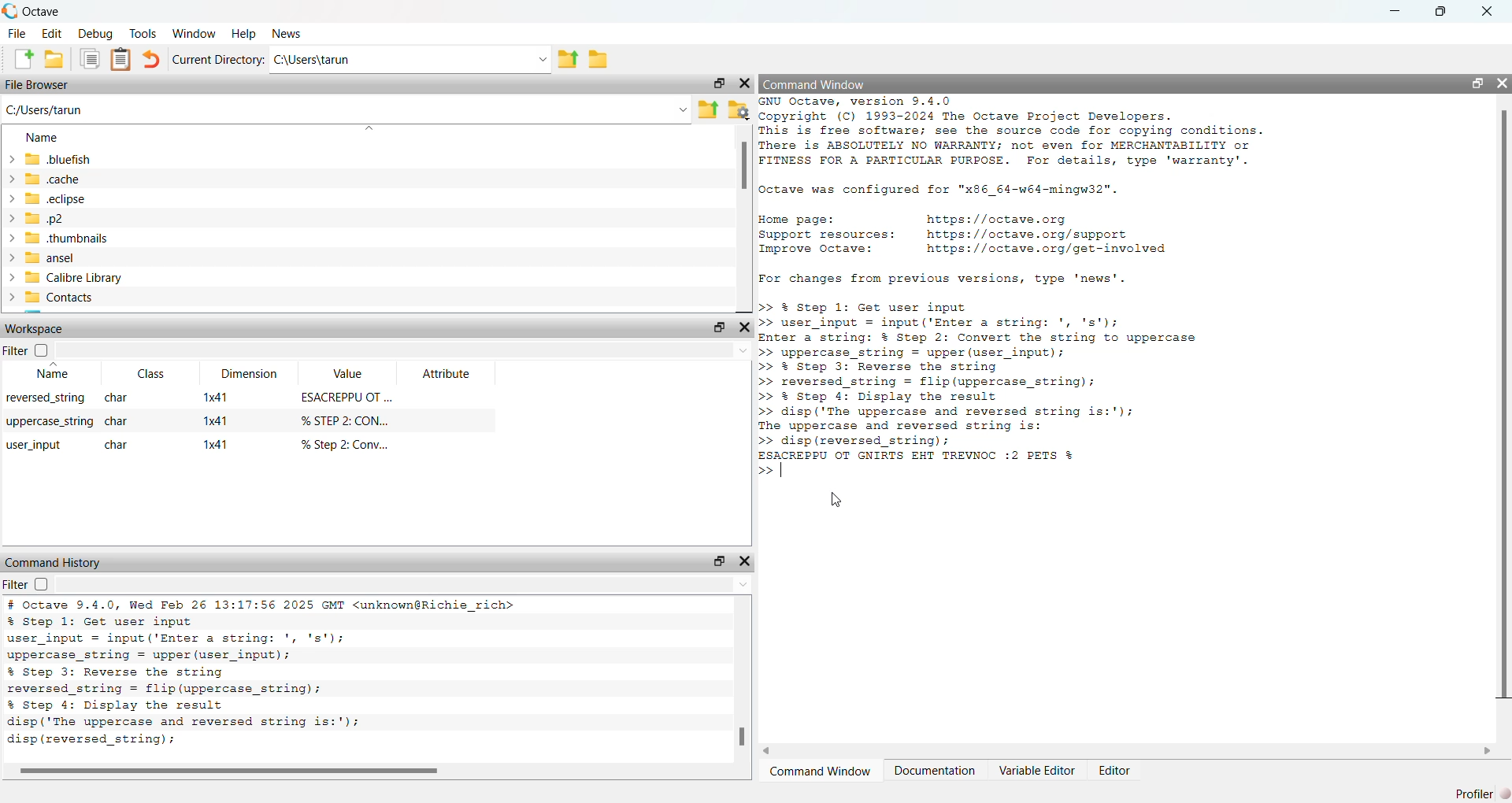 The height and width of the screenshot is (803, 1512). What do you see at coordinates (42, 137) in the screenshot?
I see `name` at bounding box center [42, 137].